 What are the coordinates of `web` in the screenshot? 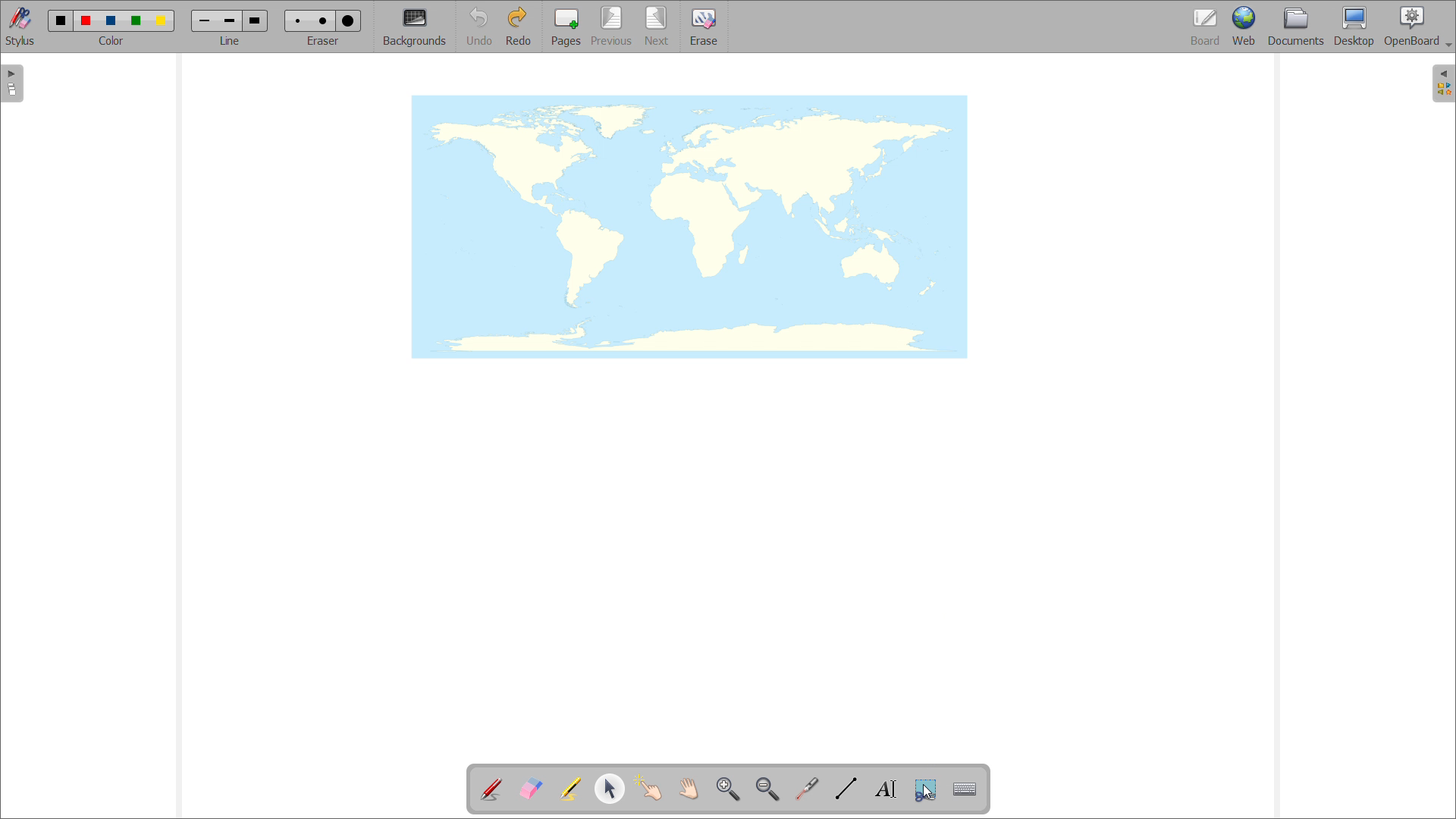 It's located at (1245, 27).